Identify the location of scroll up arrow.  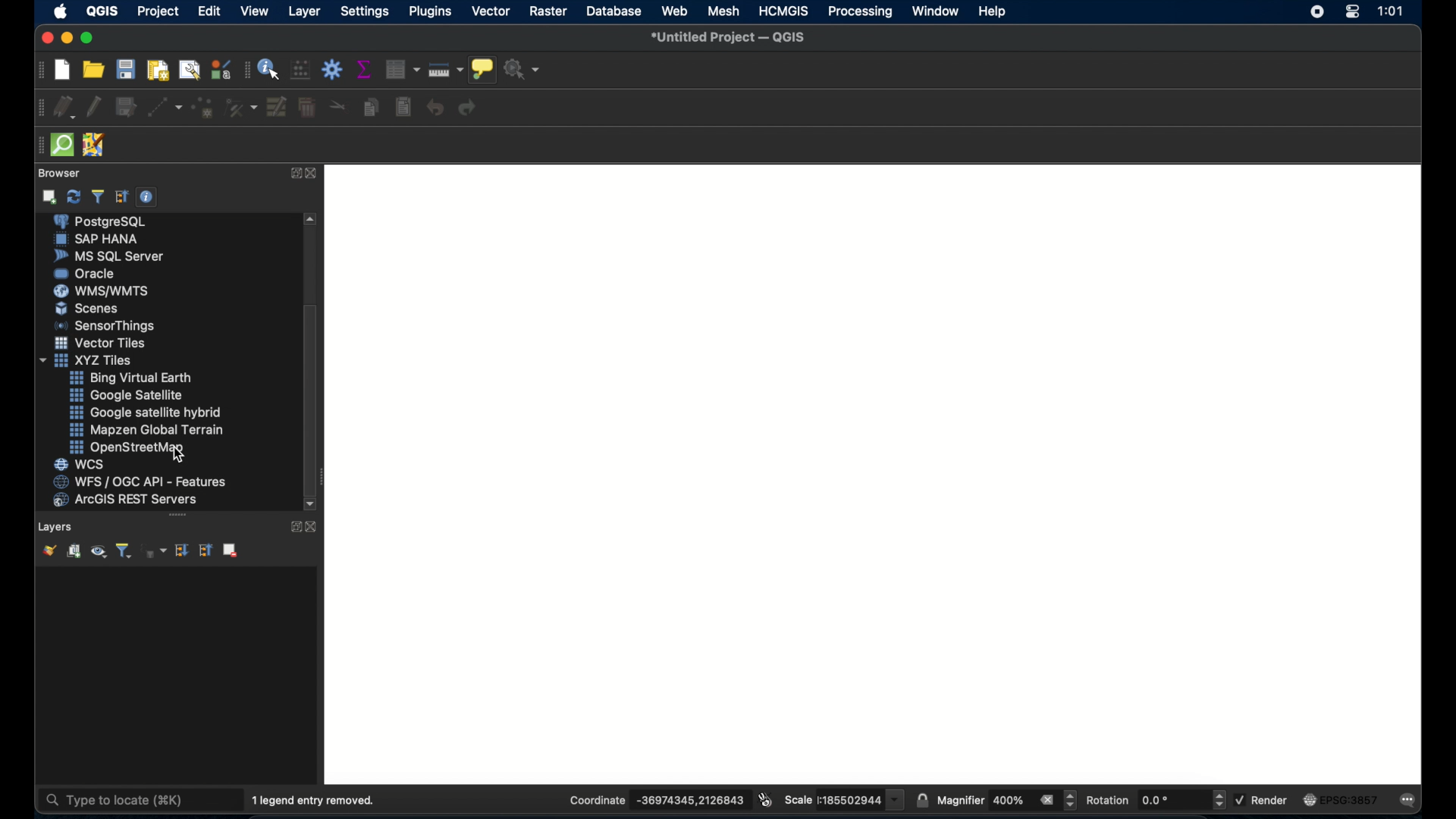
(311, 220).